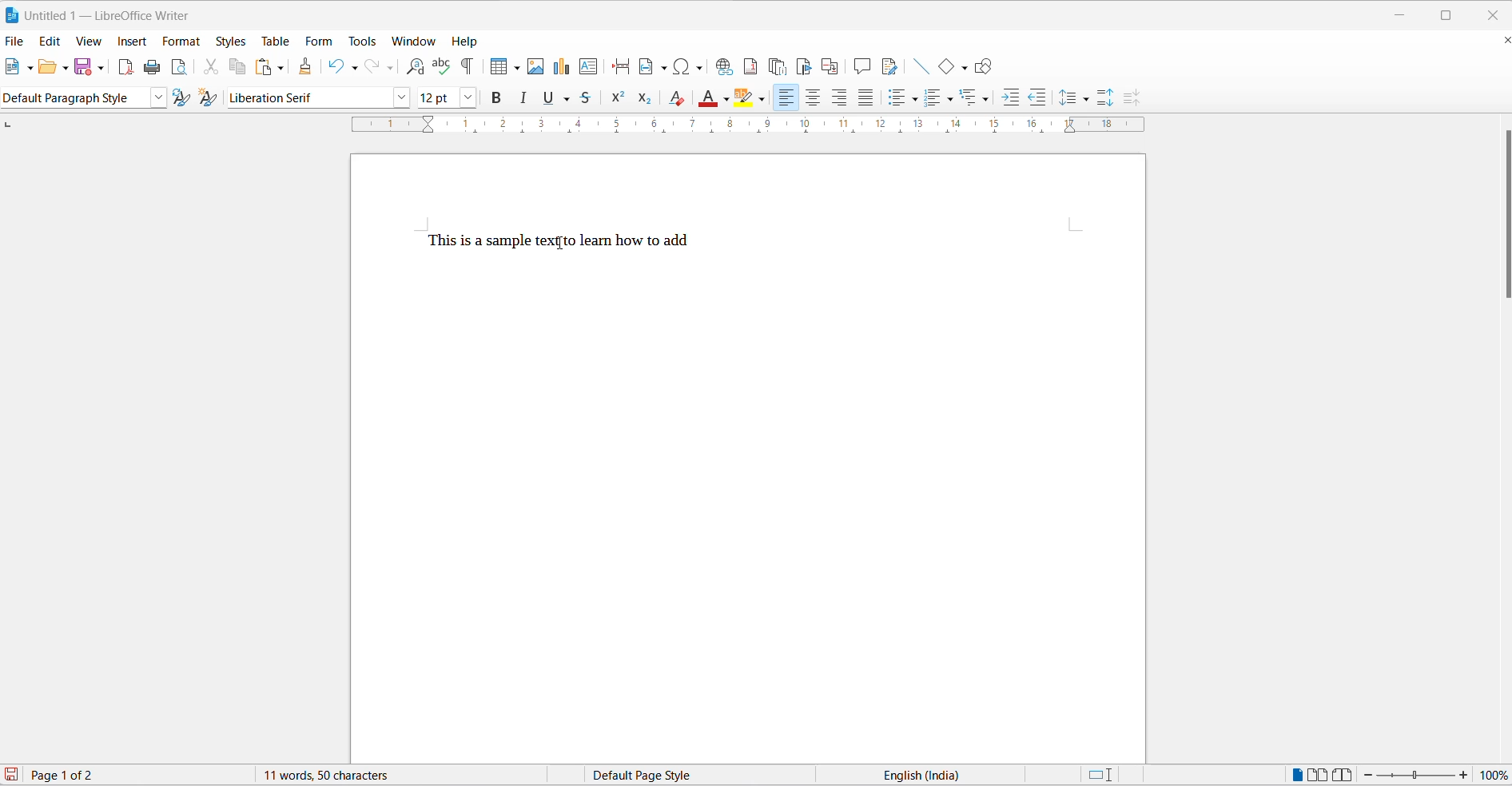 The height and width of the screenshot is (786, 1512). I want to click on find and replace, so click(416, 65).